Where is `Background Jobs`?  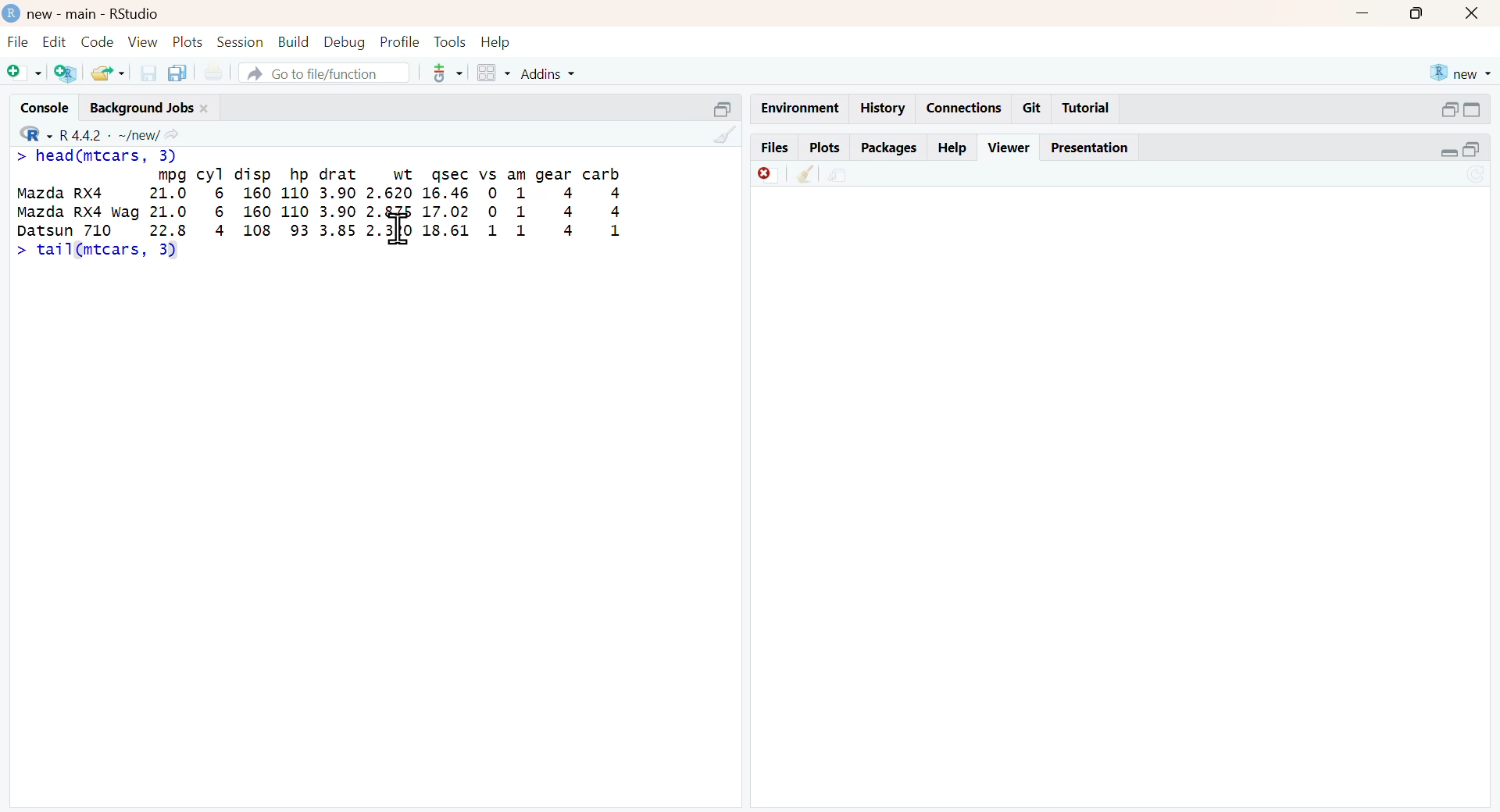 Background Jobs is located at coordinates (163, 105).